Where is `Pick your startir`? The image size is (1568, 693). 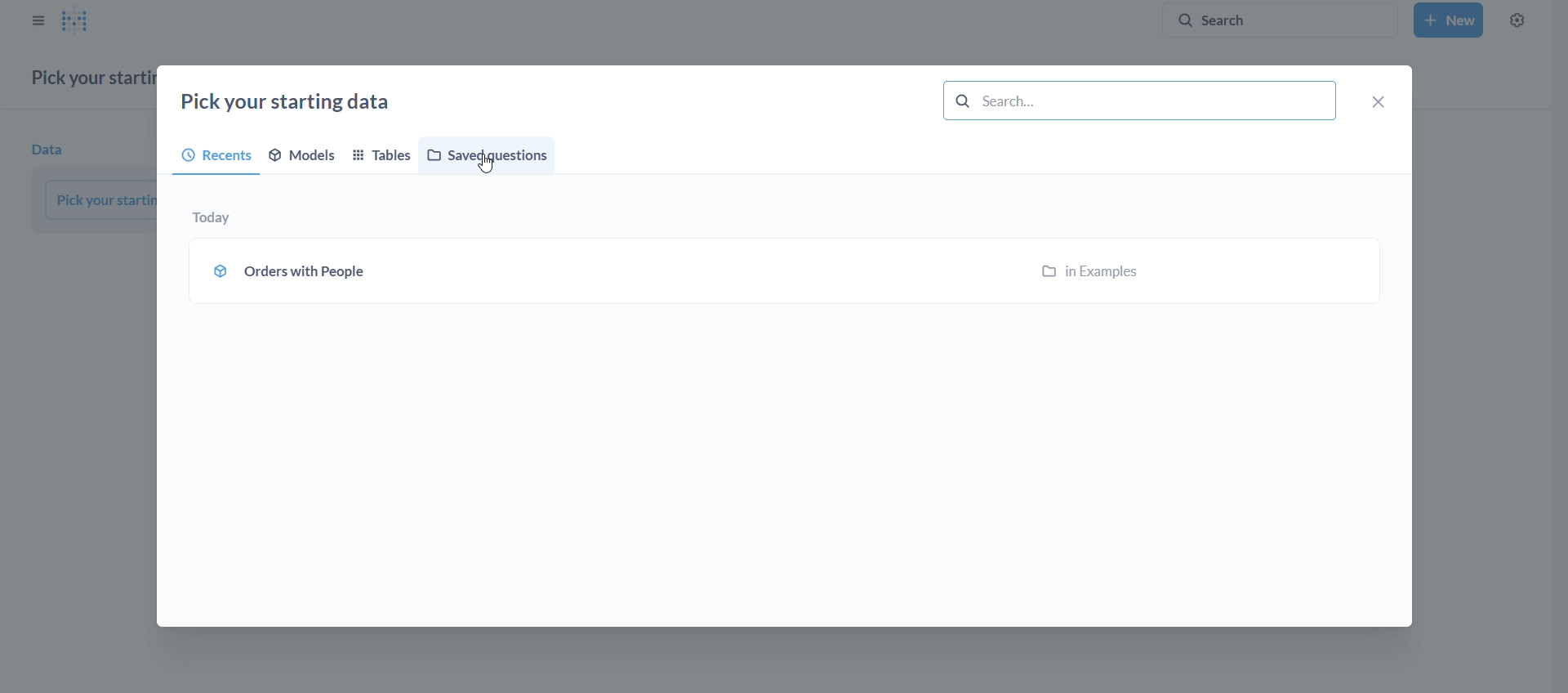 Pick your startir is located at coordinates (101, 199).